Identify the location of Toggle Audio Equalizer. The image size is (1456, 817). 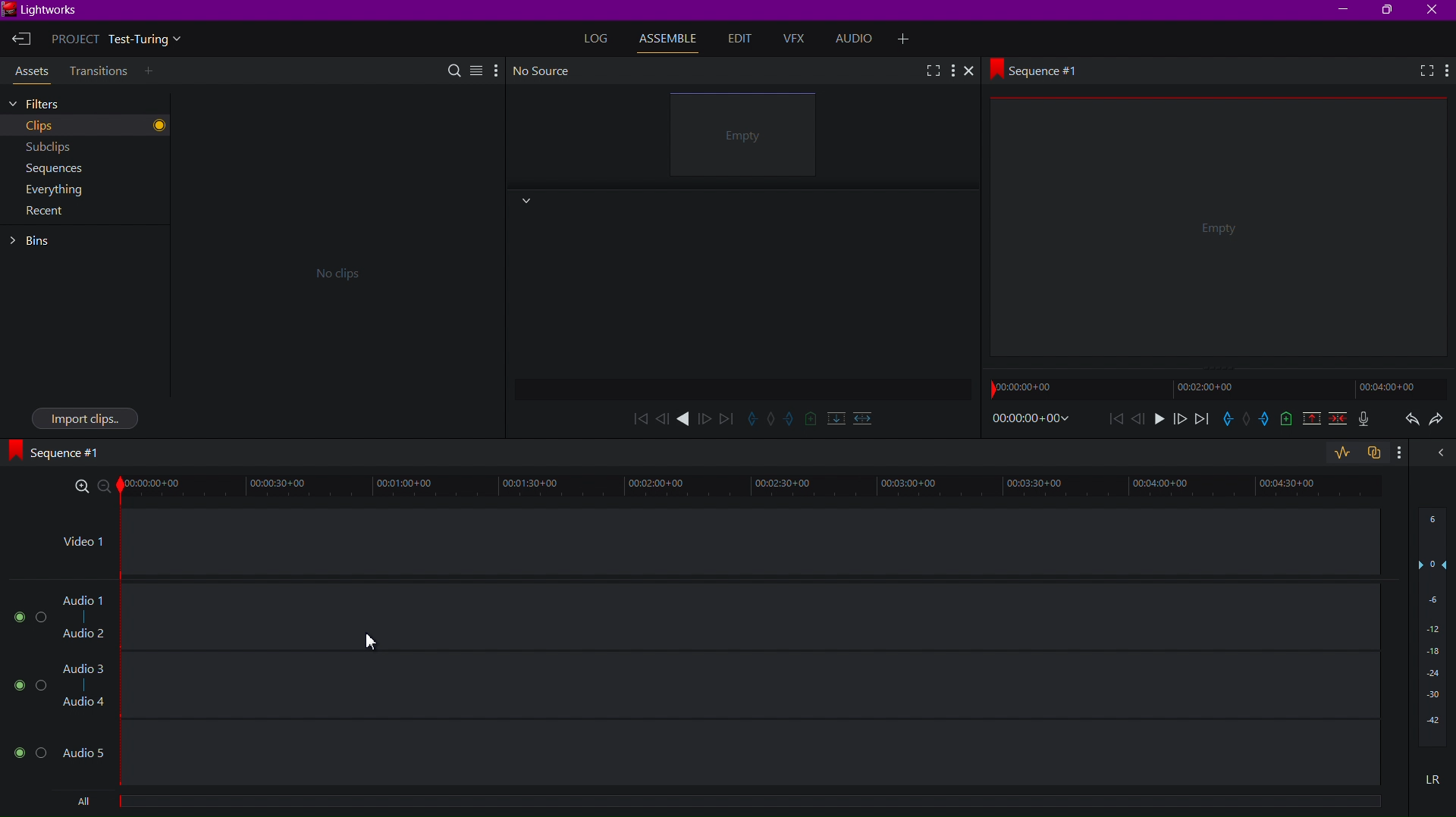
(1341, 453).